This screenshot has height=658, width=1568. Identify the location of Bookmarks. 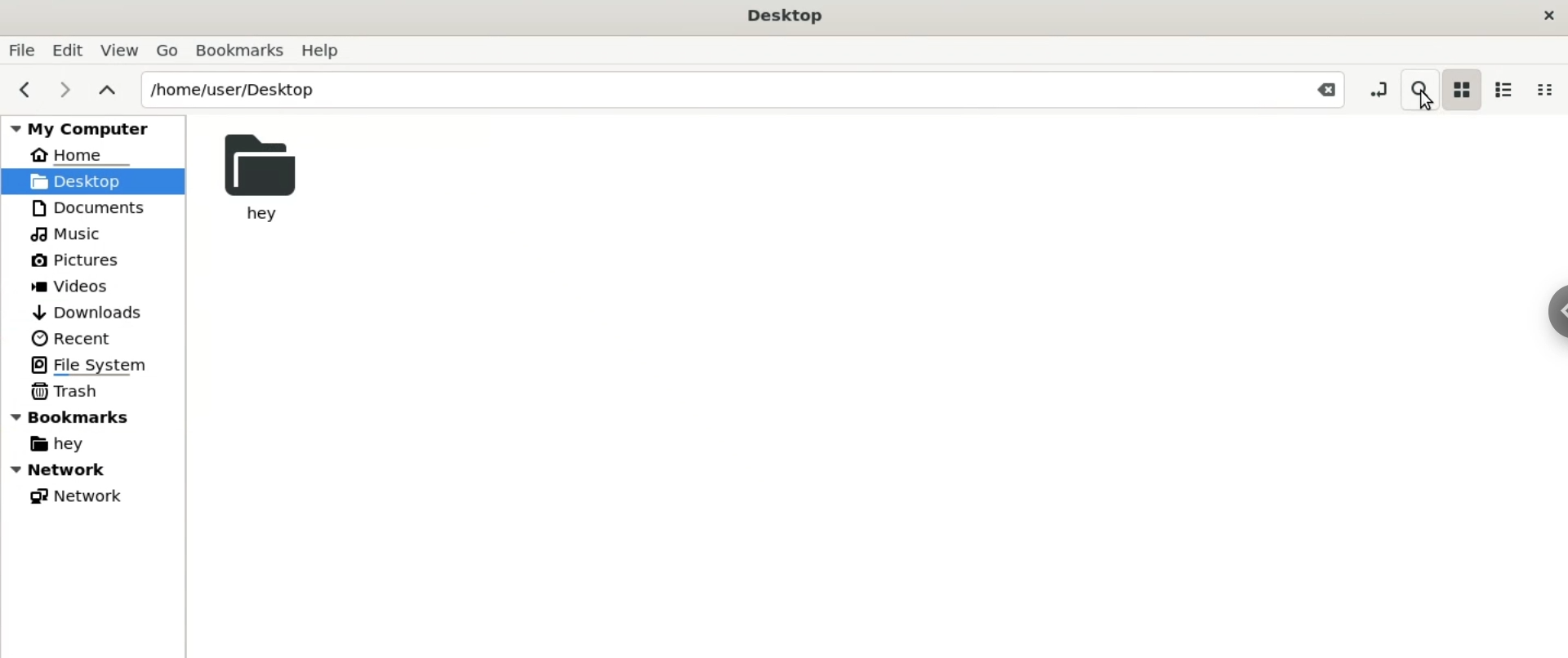
(241, 51).